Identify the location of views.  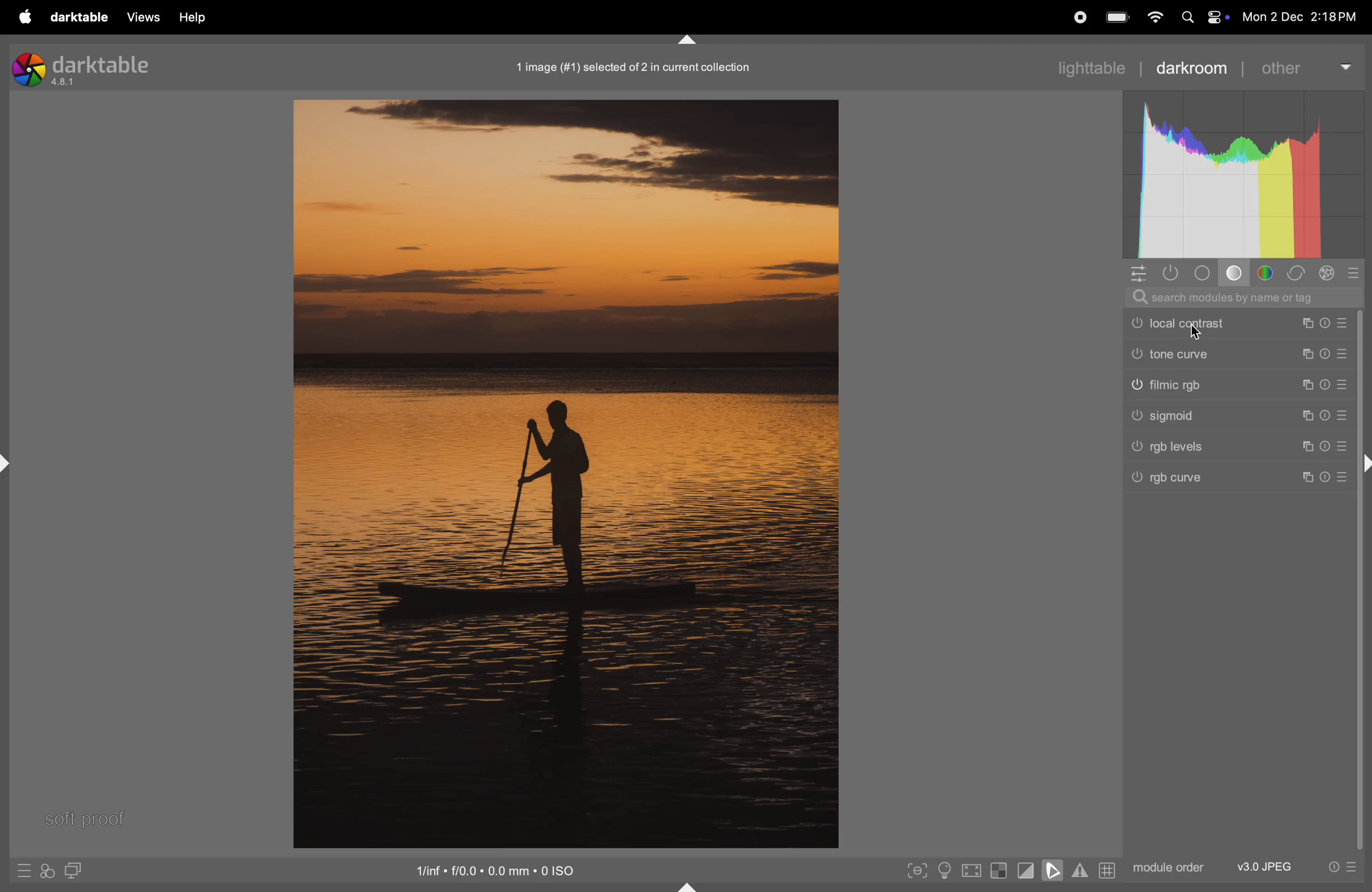
(146, 17).